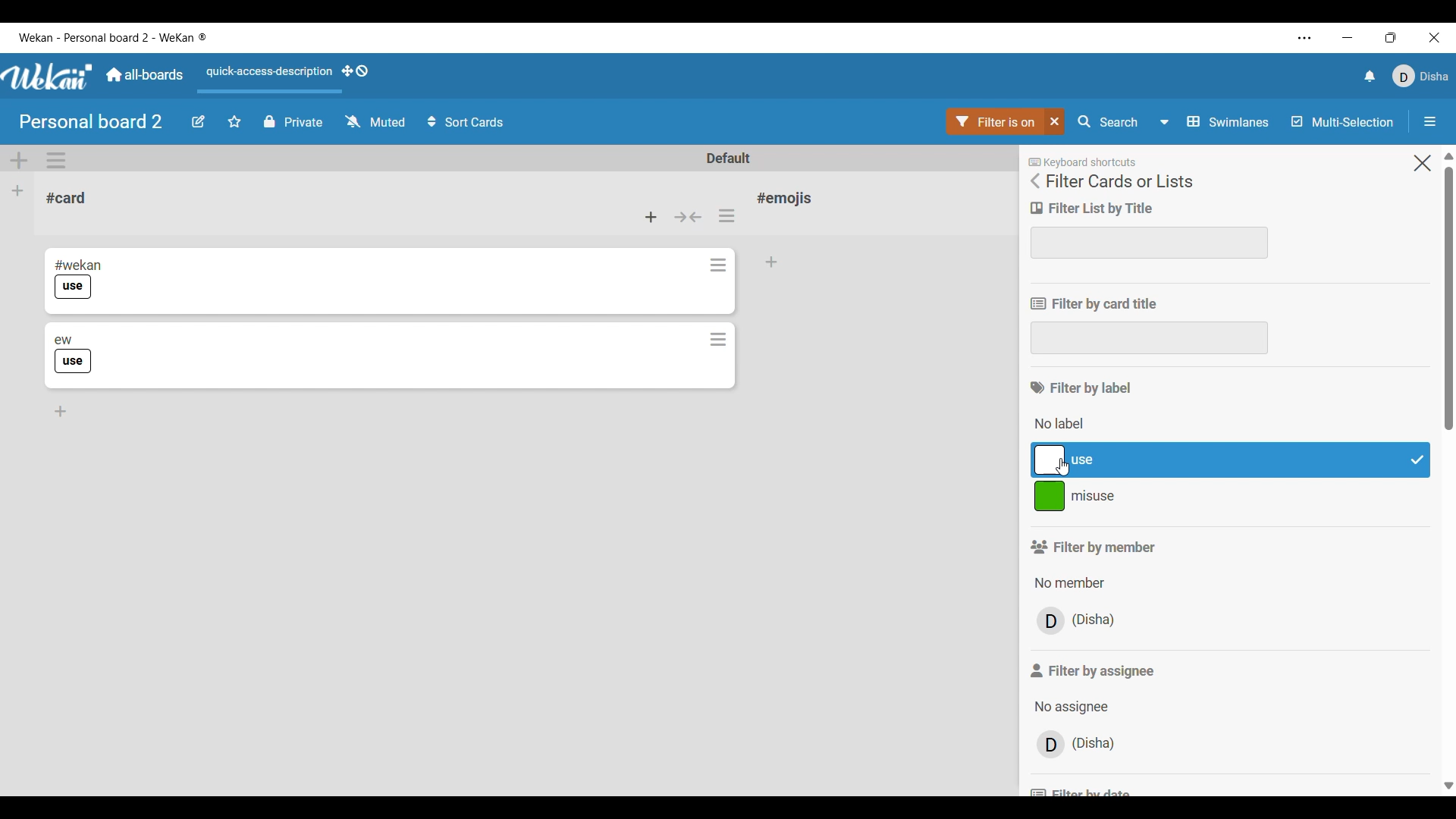 The width and height of the screenshot is (1456, 819). I want to click on Section title, so click(1093, 547).